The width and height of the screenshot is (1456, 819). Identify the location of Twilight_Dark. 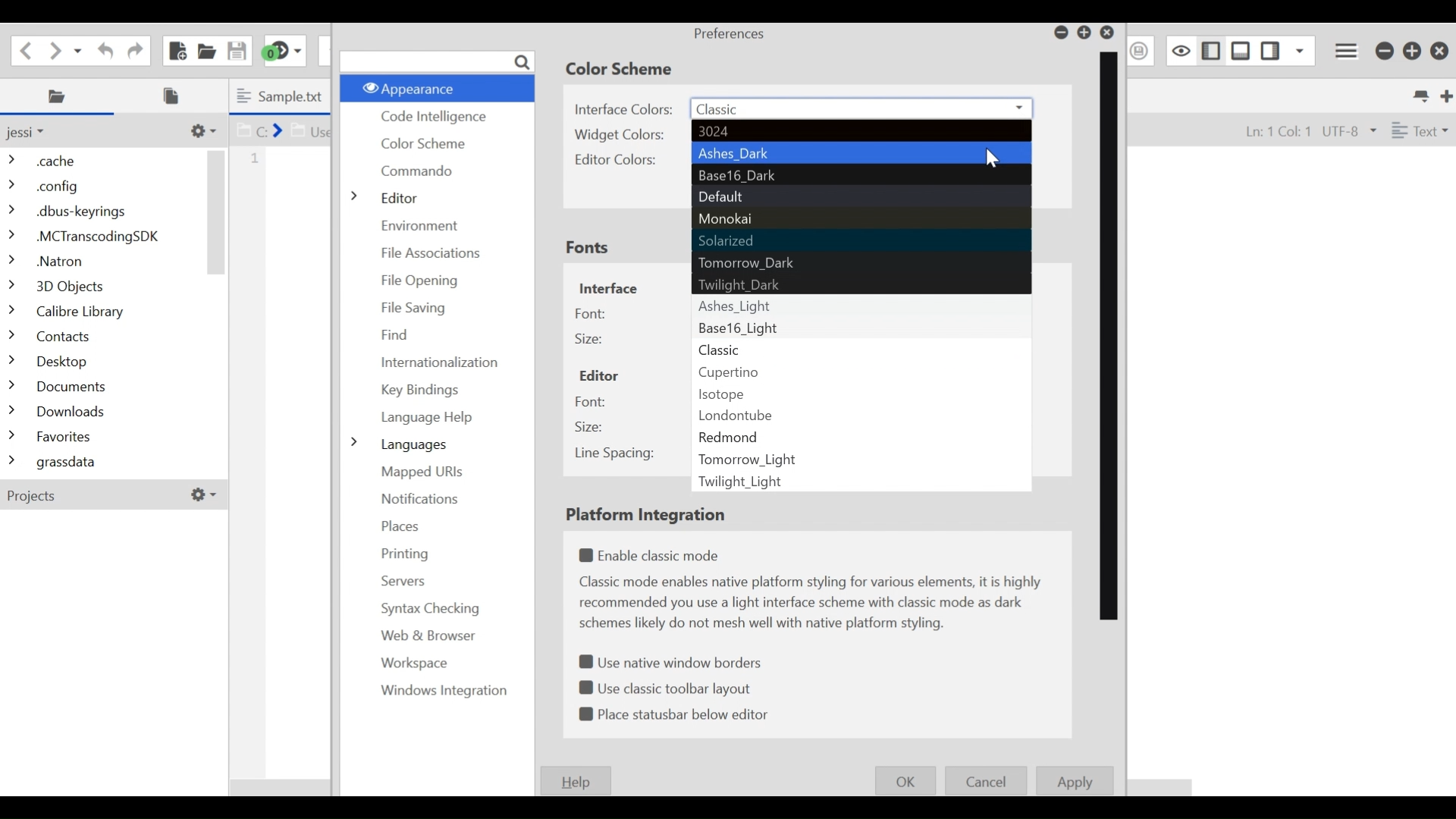
(862, 285).